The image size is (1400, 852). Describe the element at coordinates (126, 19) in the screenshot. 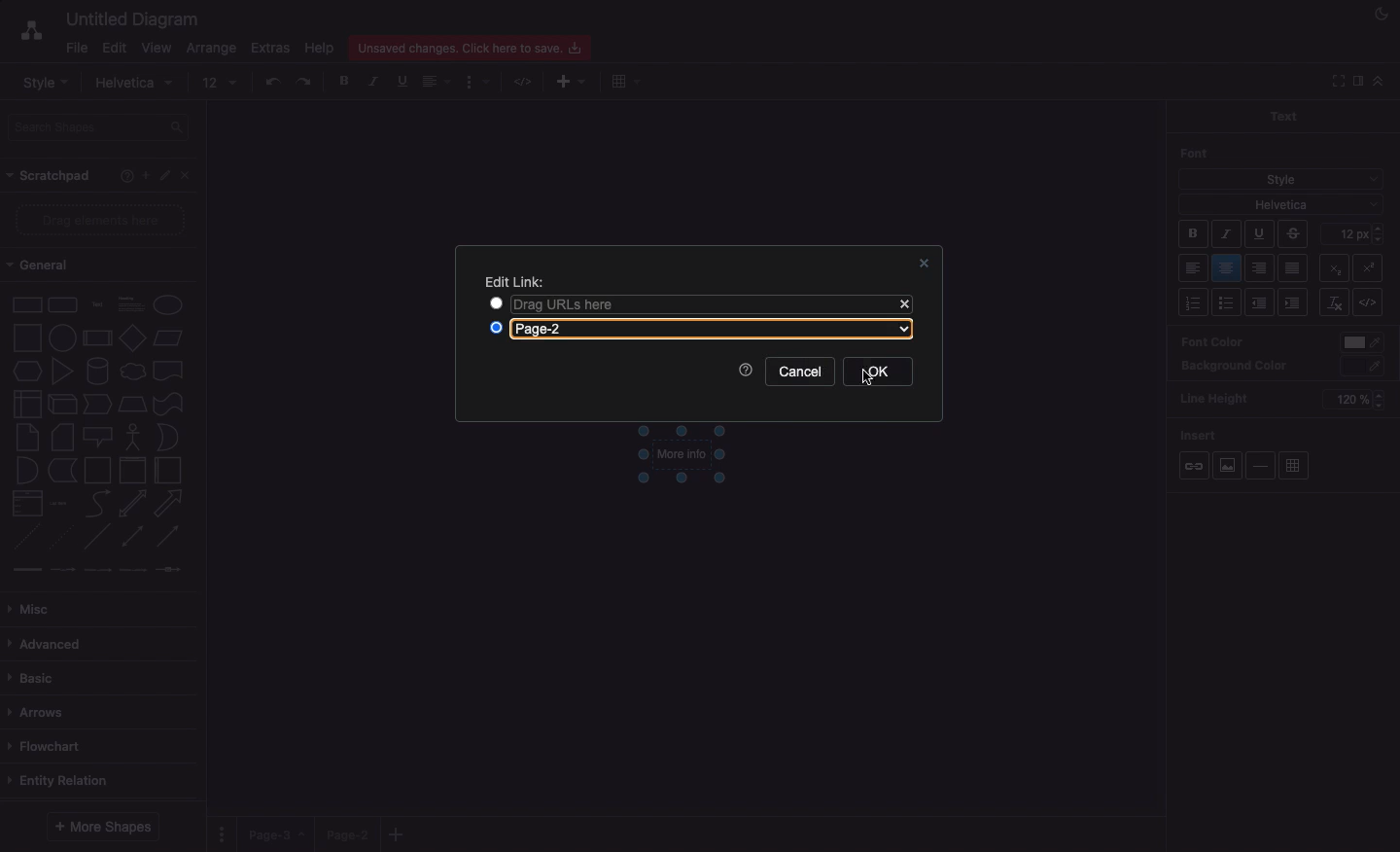

I see `Untitled diagram` at that location.